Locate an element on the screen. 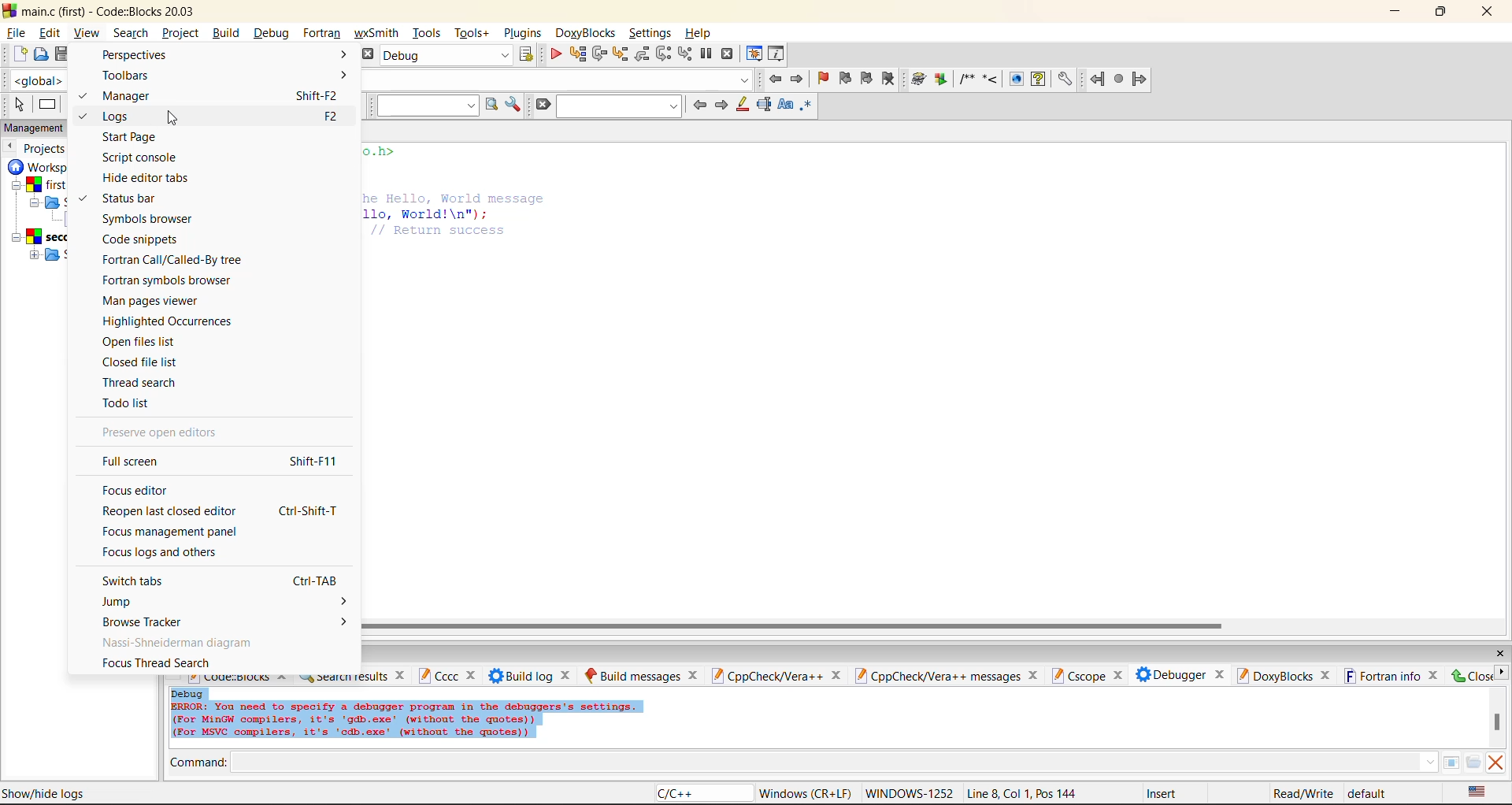 This screenshot has width=1512, height=805. Ctrl+Shift+T is located at coordinates (313, 514).